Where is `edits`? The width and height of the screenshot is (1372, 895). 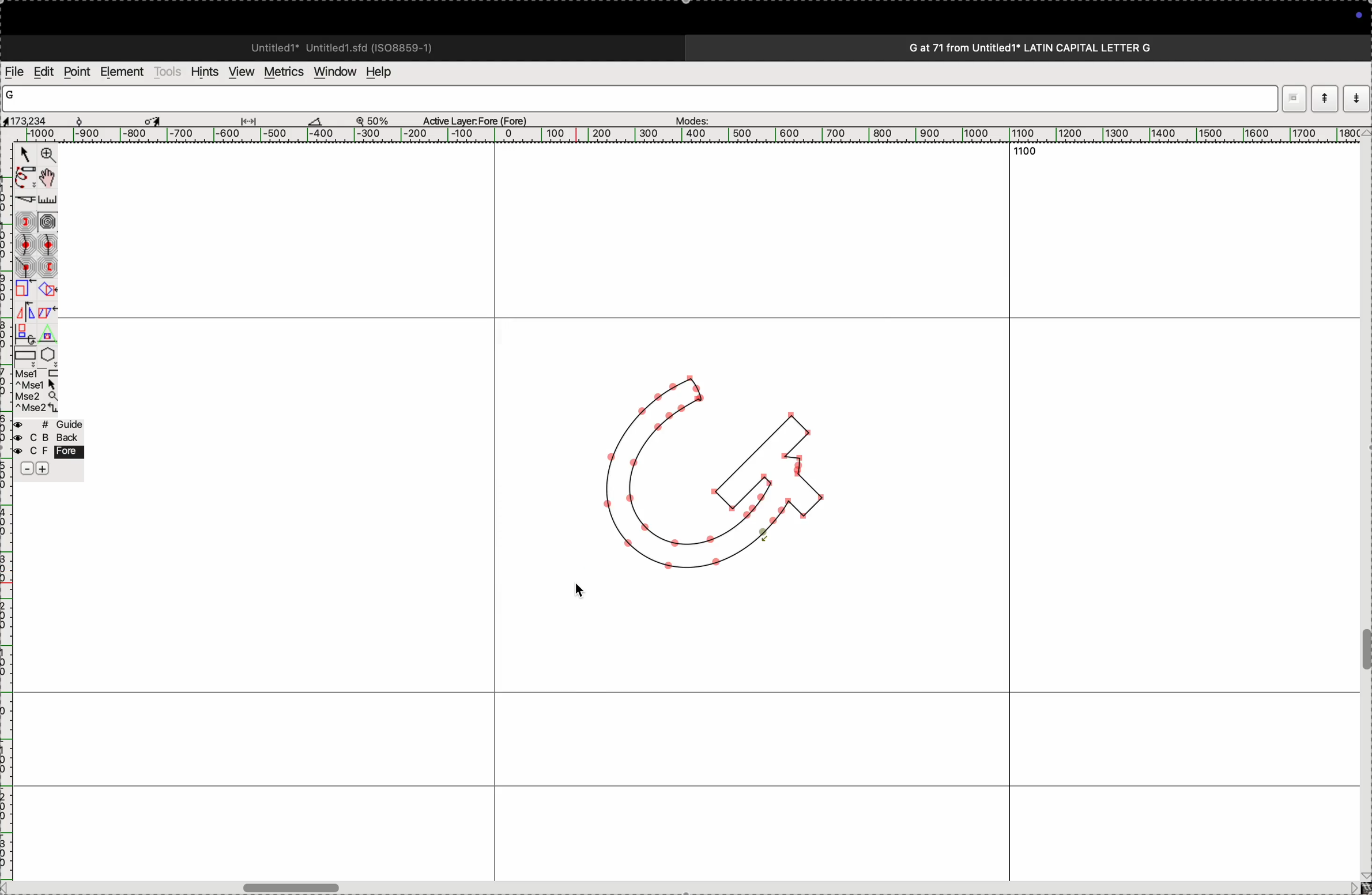 edits is located at coordinates (44, 73).